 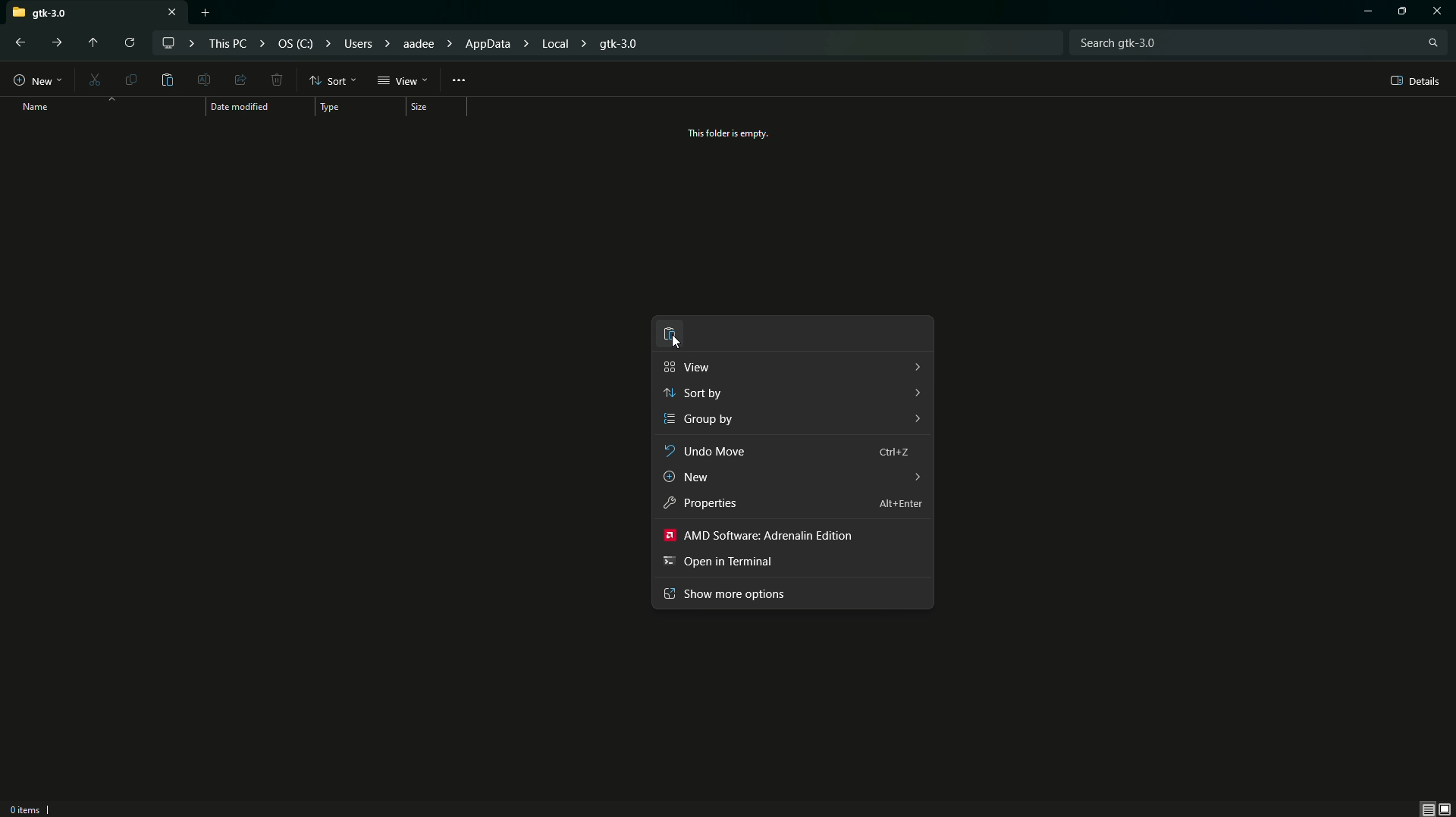 What do you see at coordinates (722, 563) in the screenshot?
I see `Open in terminal` at bounding box center [722, 563].